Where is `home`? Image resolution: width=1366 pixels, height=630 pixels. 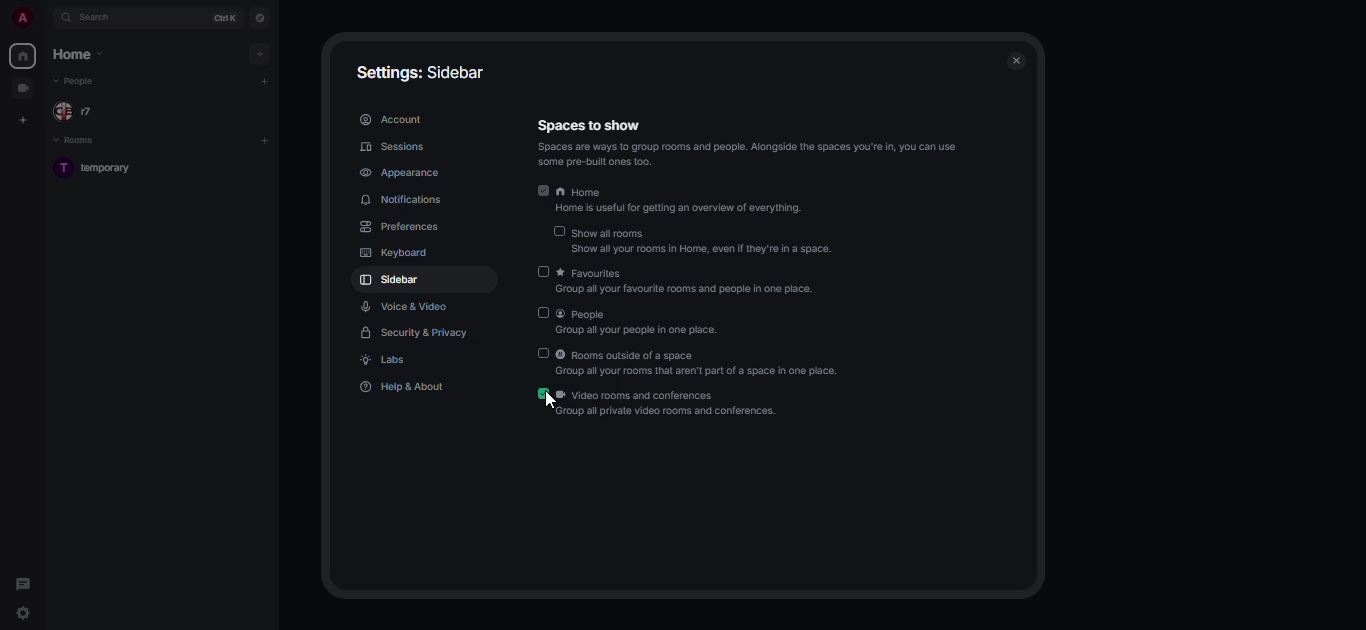 home is located at coordinates (78, 57).